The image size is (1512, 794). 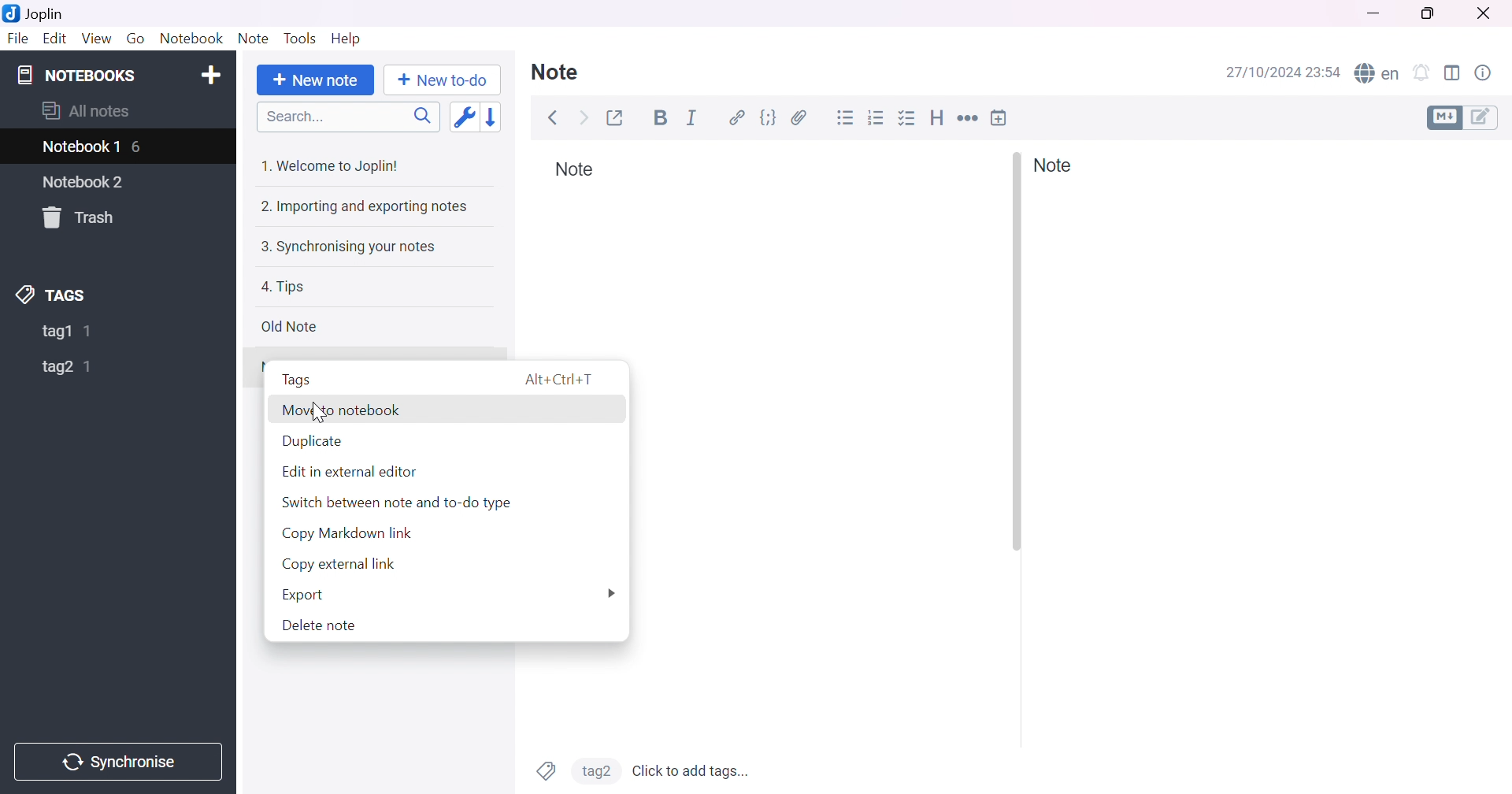 What do you see at coordinates (739, 118) in the screenshot?
I see `Hyperlink` at bounding box center [739, 118].